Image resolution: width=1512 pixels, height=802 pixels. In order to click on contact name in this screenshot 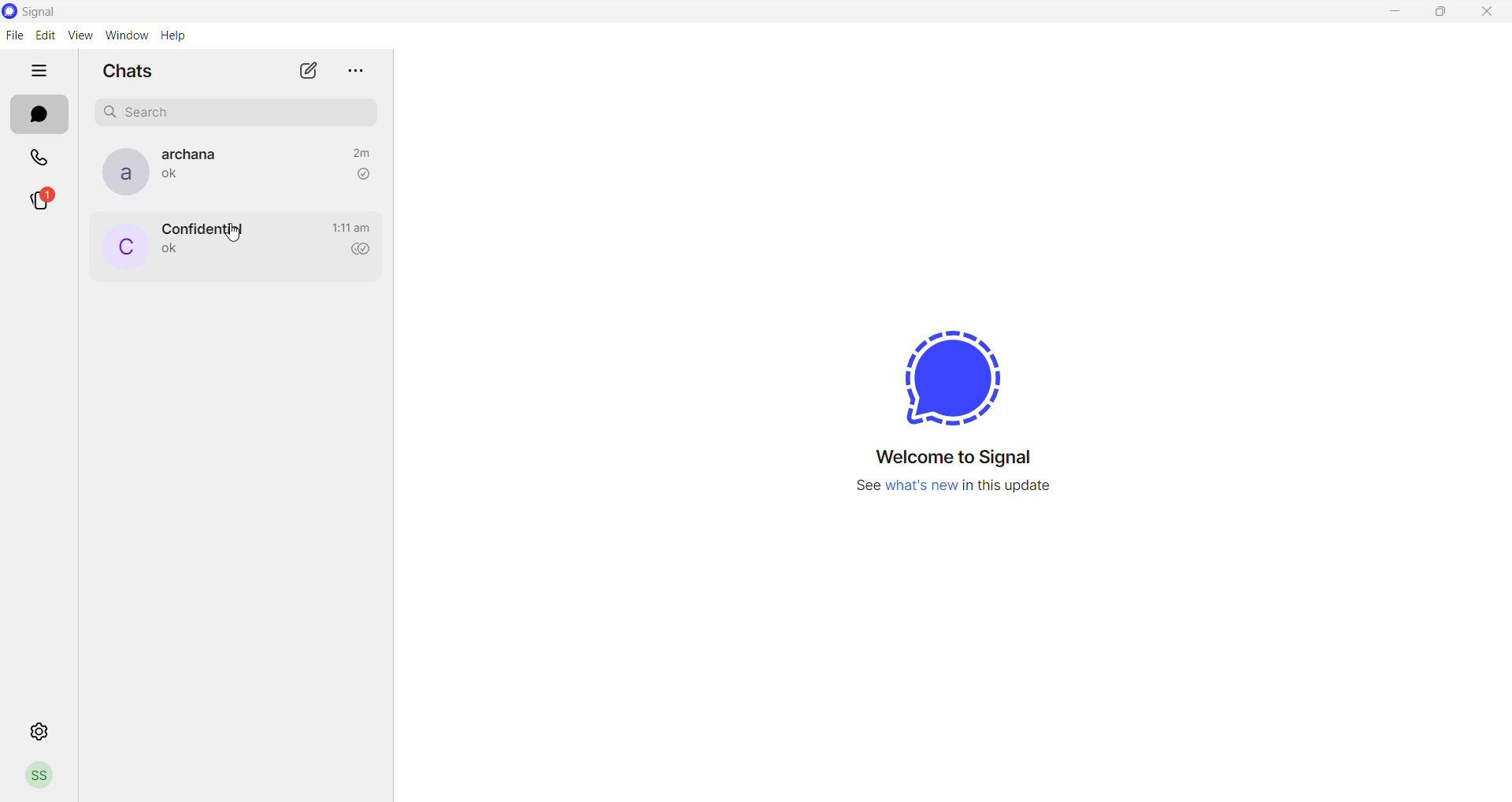, I will do `click(202, 228)`.